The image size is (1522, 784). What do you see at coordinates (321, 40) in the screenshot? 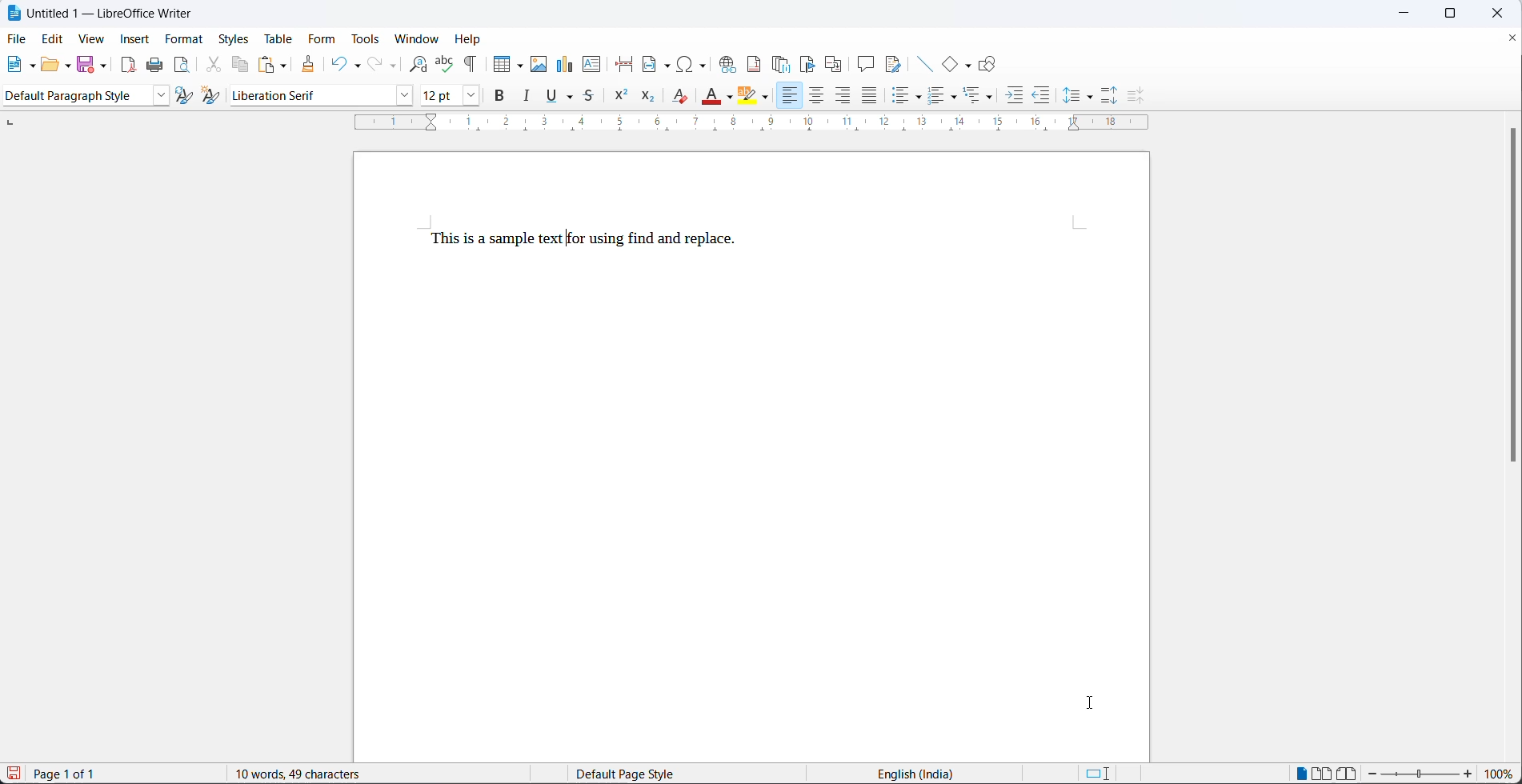
I see `form` at bounding box center [321, 40].